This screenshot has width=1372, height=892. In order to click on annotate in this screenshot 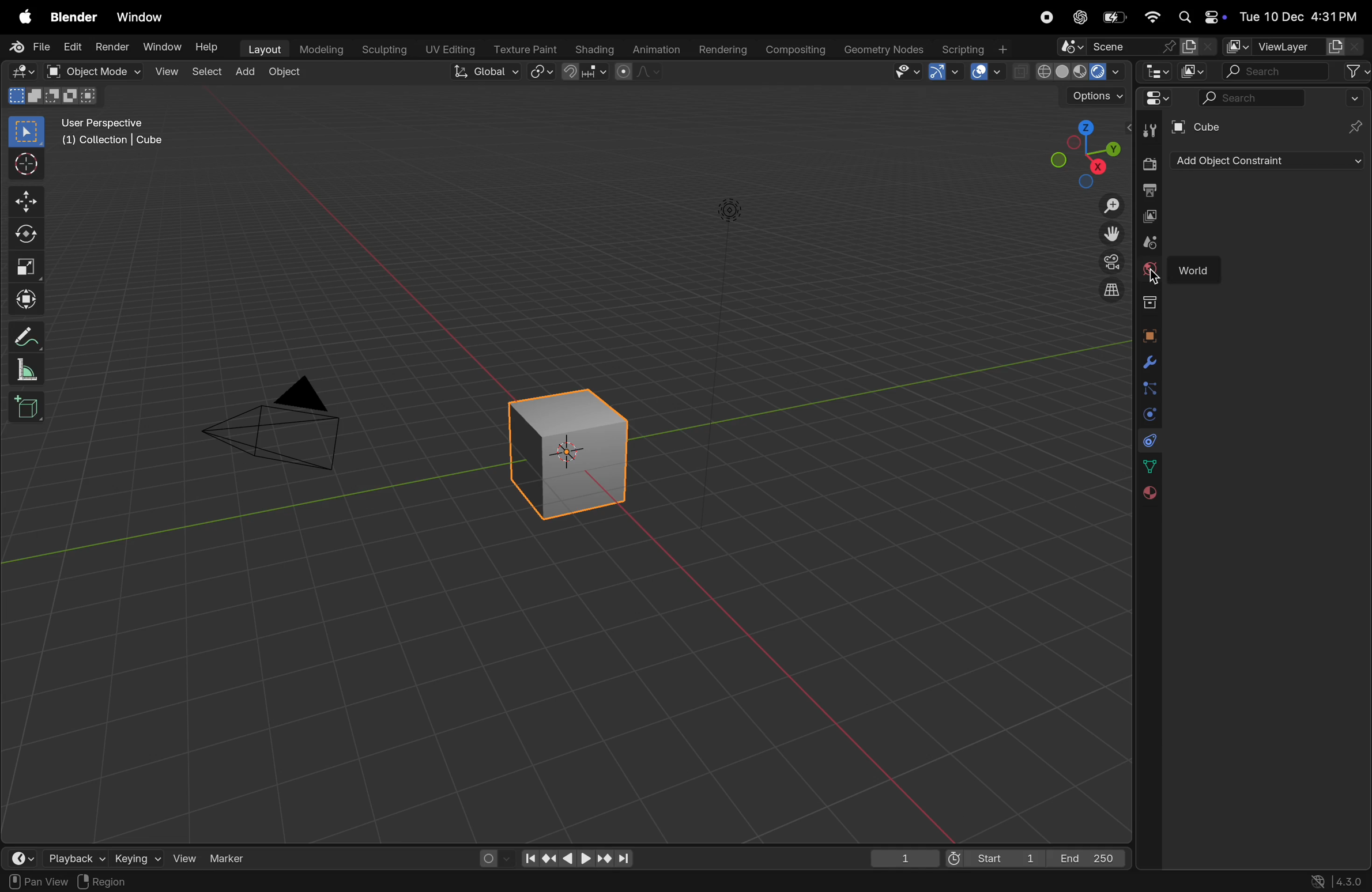, I will do `click(29, 334)`.